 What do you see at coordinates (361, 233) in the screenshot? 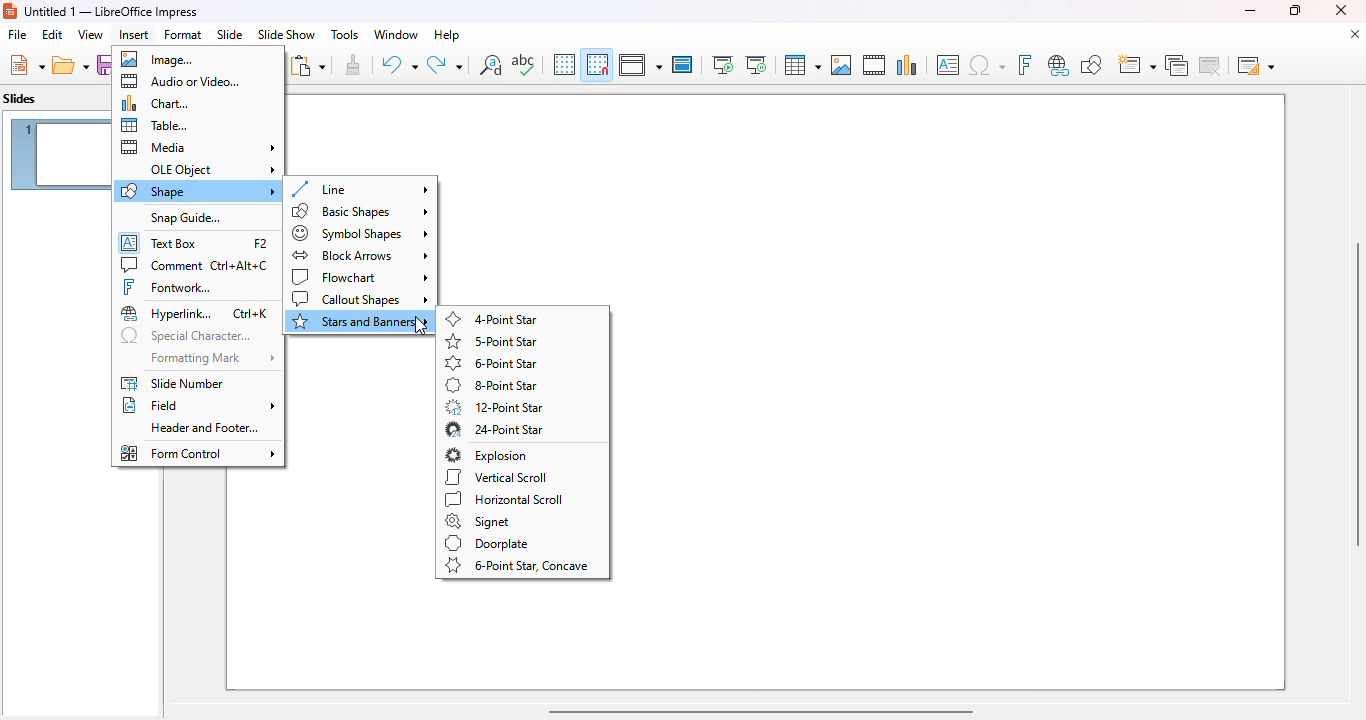
I see `symbol shapes` at bounding box center [361, 233].